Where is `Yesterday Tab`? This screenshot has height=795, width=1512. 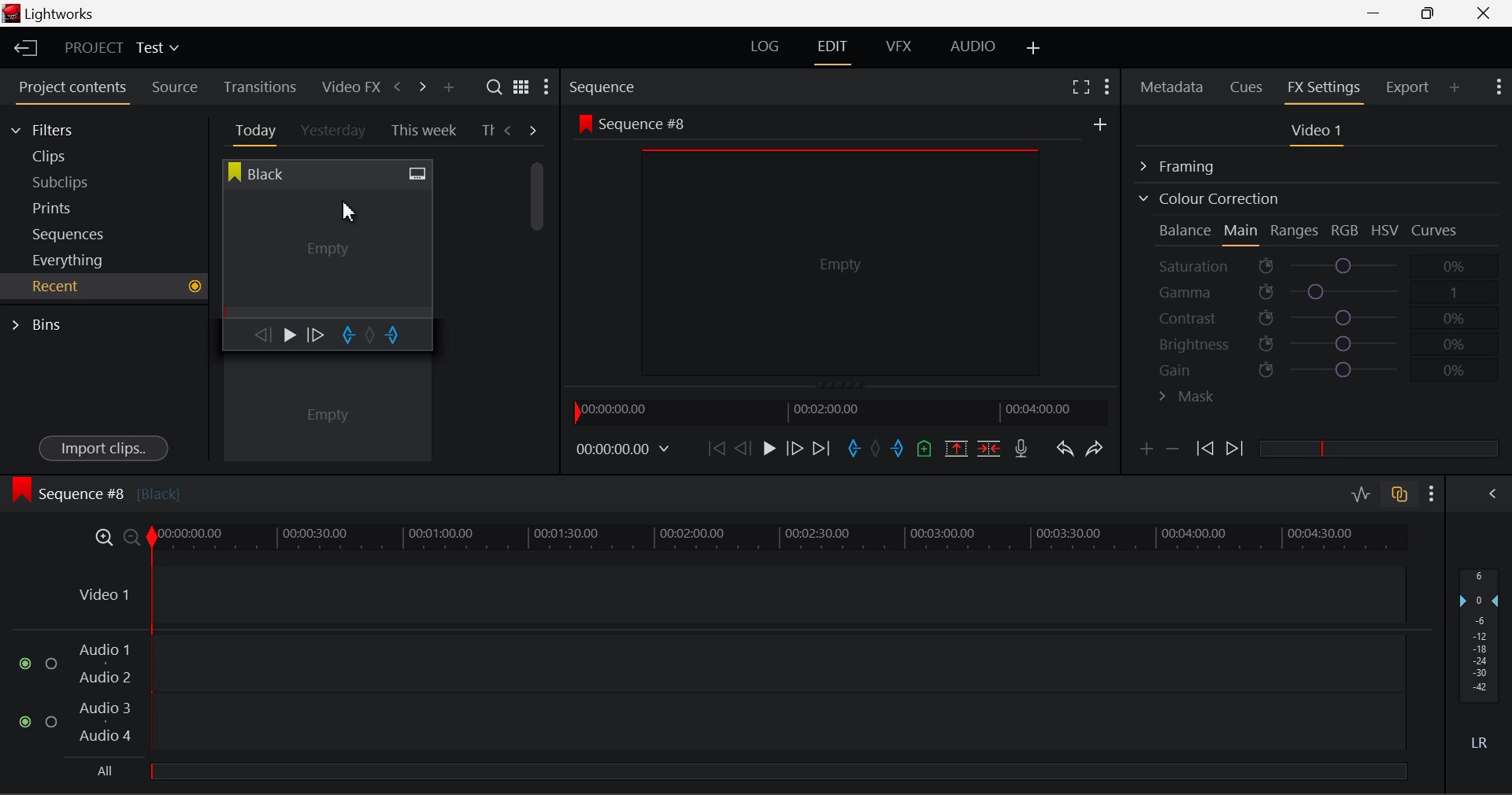
Yesterday Tab is located at coordinates (335, 131).